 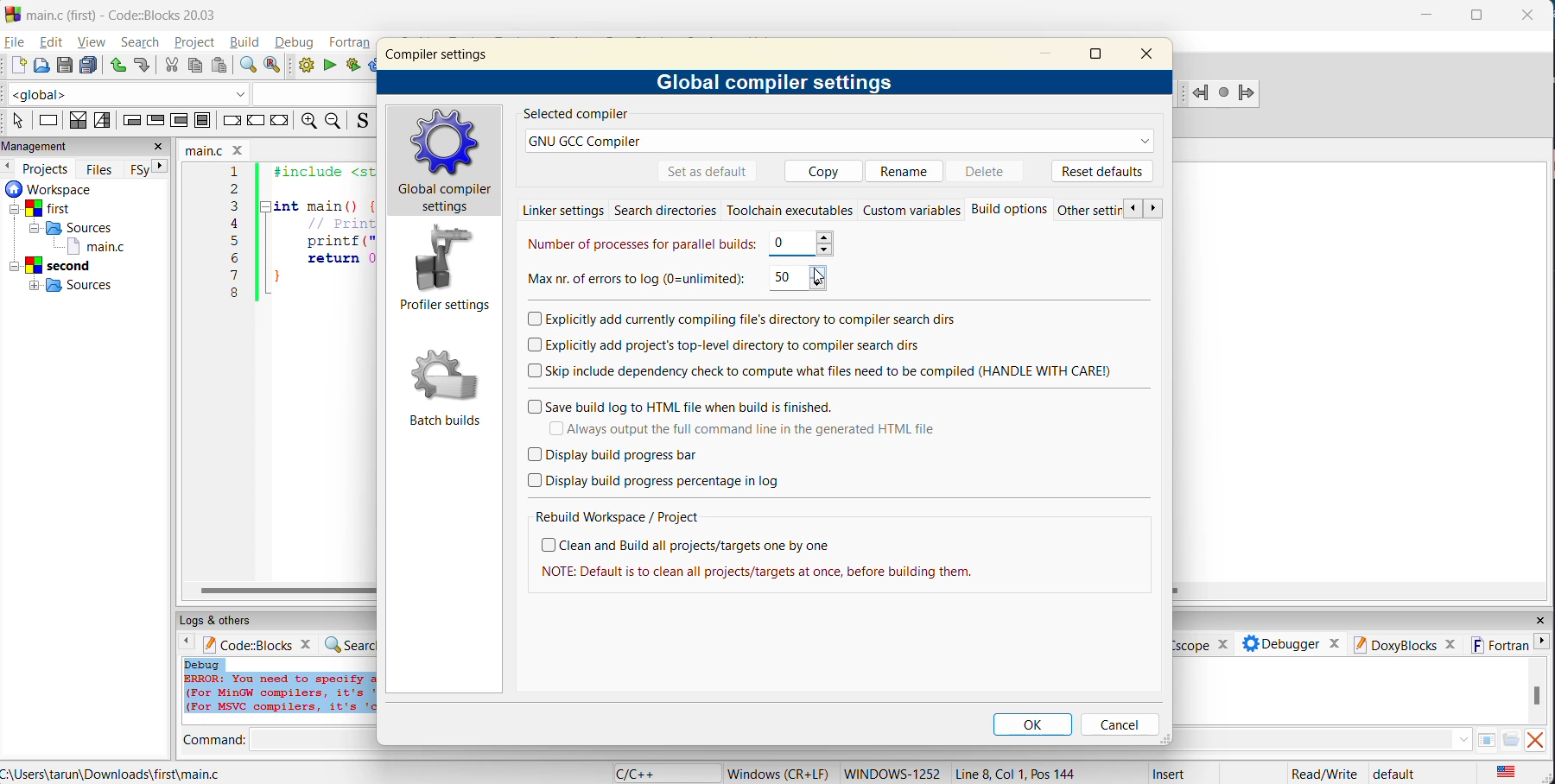 What do you see at coordinates (742, 429) in the screenshot?
I see `always output the full command line in the generated html file` at bounding box center [742, 429].